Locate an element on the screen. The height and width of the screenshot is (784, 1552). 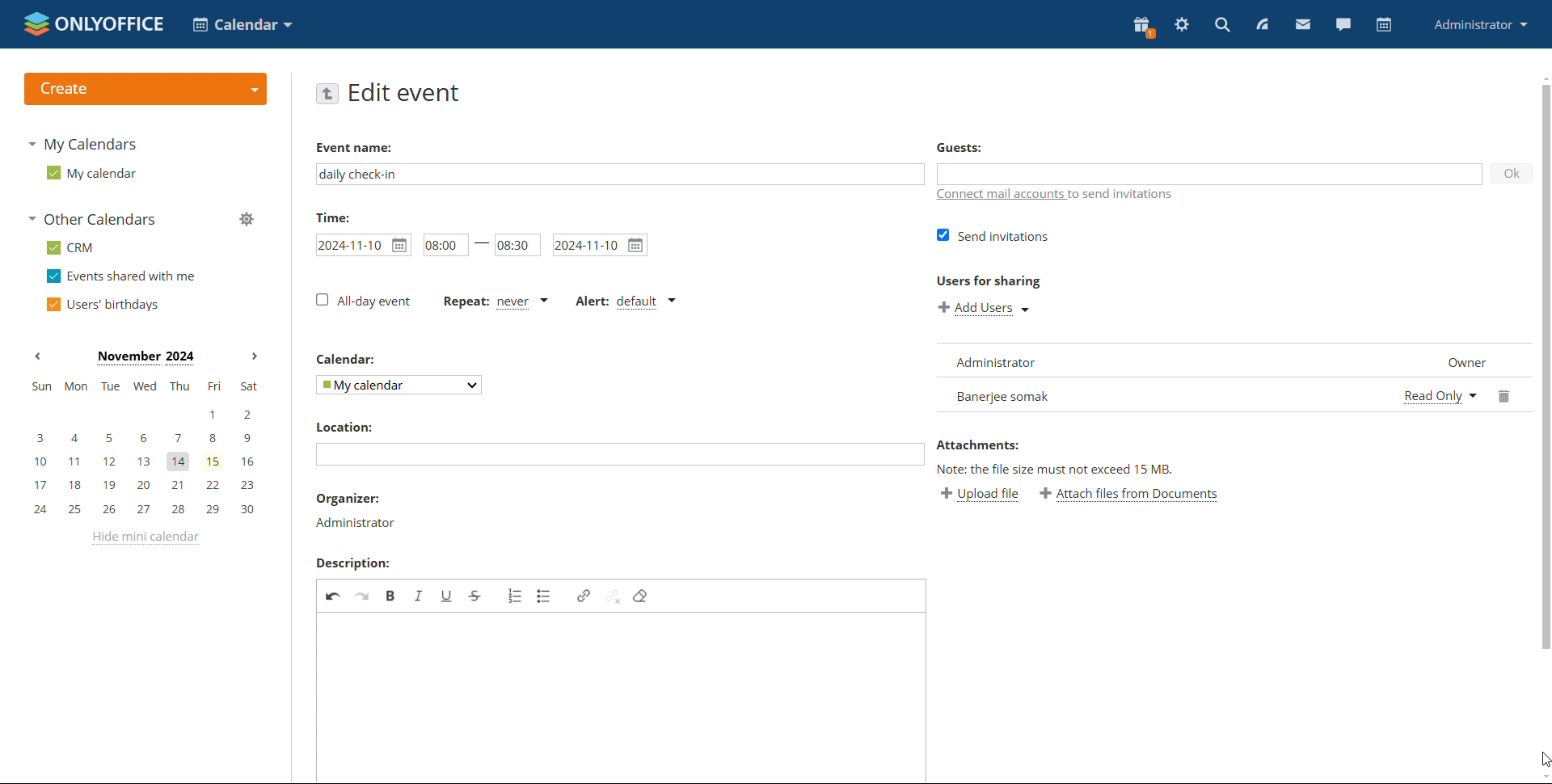
next month is located at coordinates (252, 357).